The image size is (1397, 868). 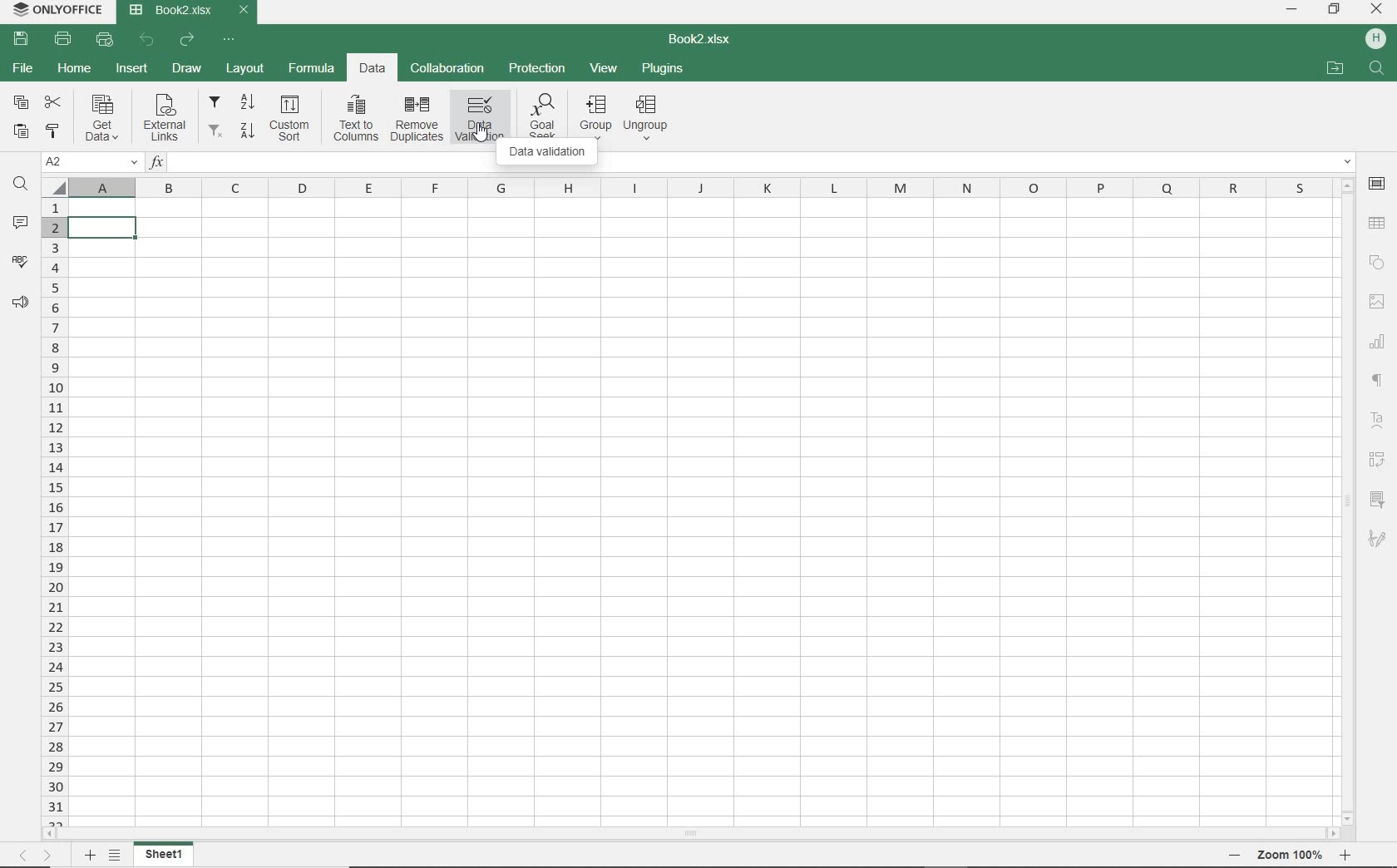 What do you see at coordinates (549, 153) in the screenshot?
I see `data validation` at bounding box center [549, 153].